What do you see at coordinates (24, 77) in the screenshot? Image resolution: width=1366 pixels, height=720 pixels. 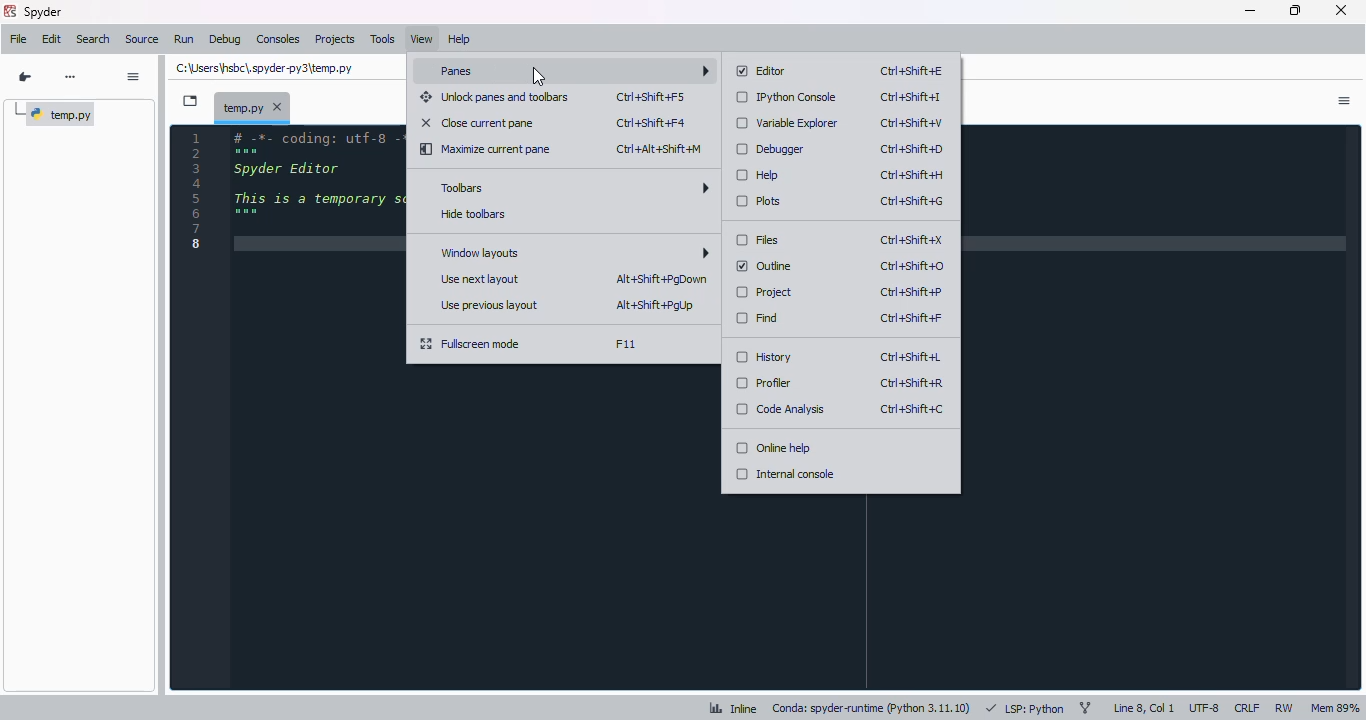 I see `go to cursor position` at bounding box center [24, 77].